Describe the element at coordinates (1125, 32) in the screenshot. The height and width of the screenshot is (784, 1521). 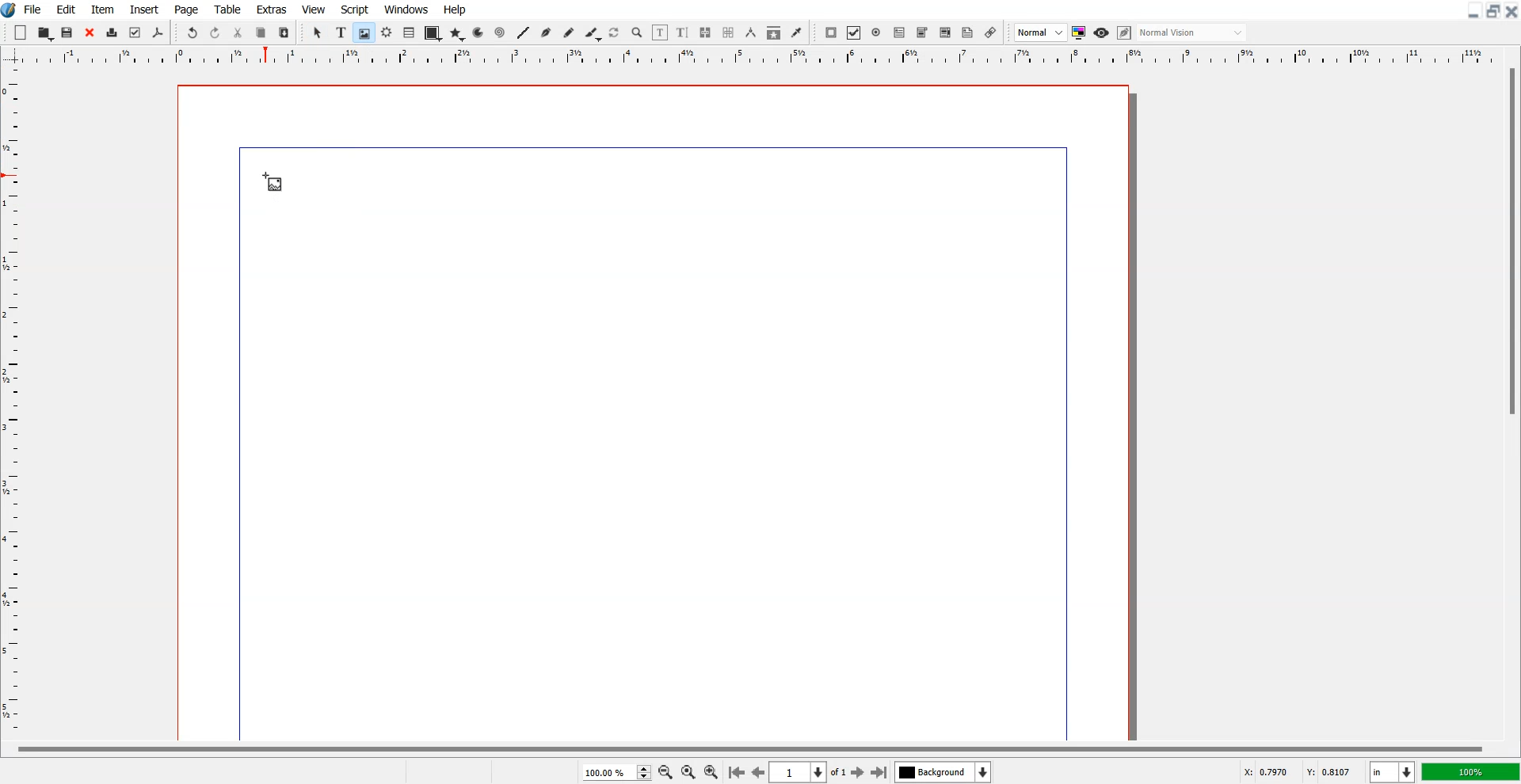
I see `Edit in preview mode` at that location.